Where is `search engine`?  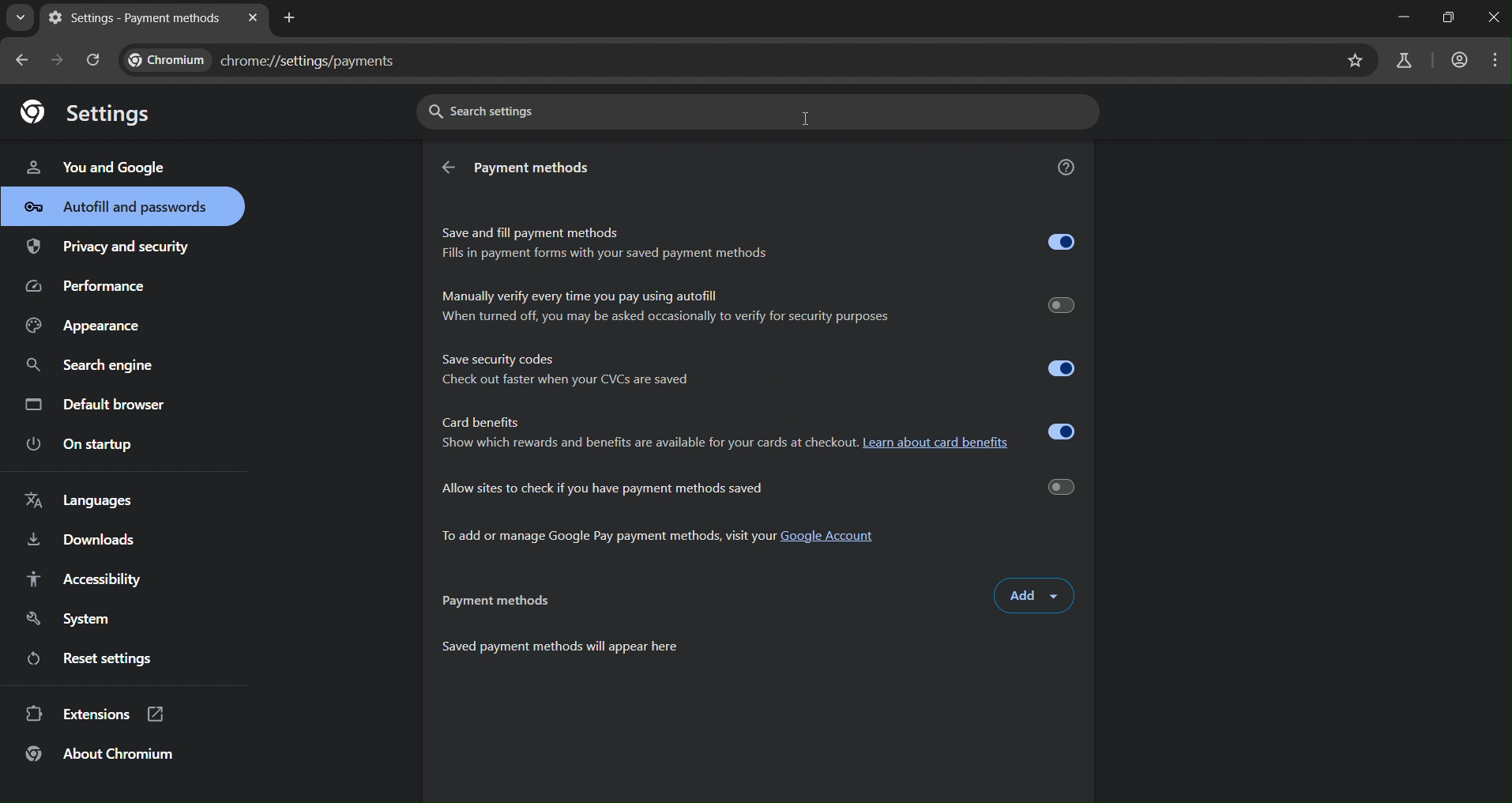 search engine is located at coordinates (88, 363).